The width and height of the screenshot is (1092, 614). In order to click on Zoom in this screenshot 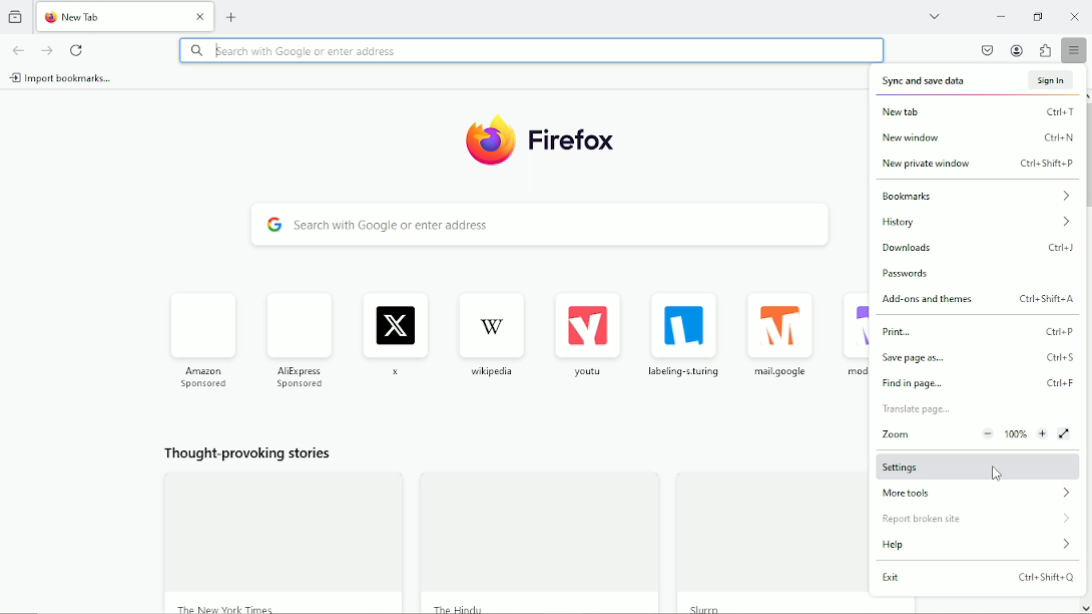, I will do `click(964, 434)`.